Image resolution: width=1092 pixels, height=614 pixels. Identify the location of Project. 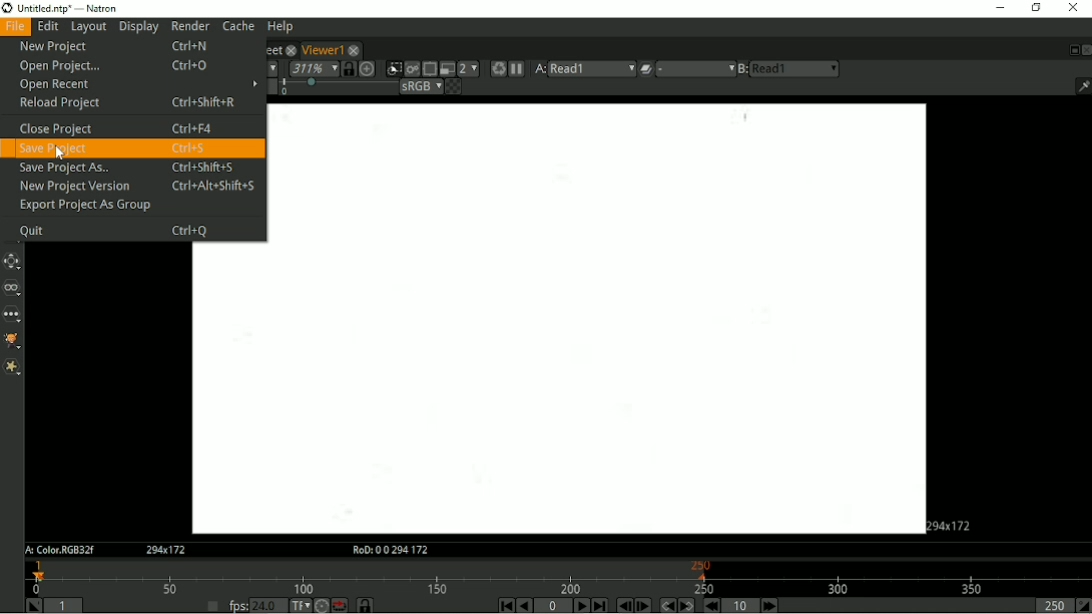
(597, 319).